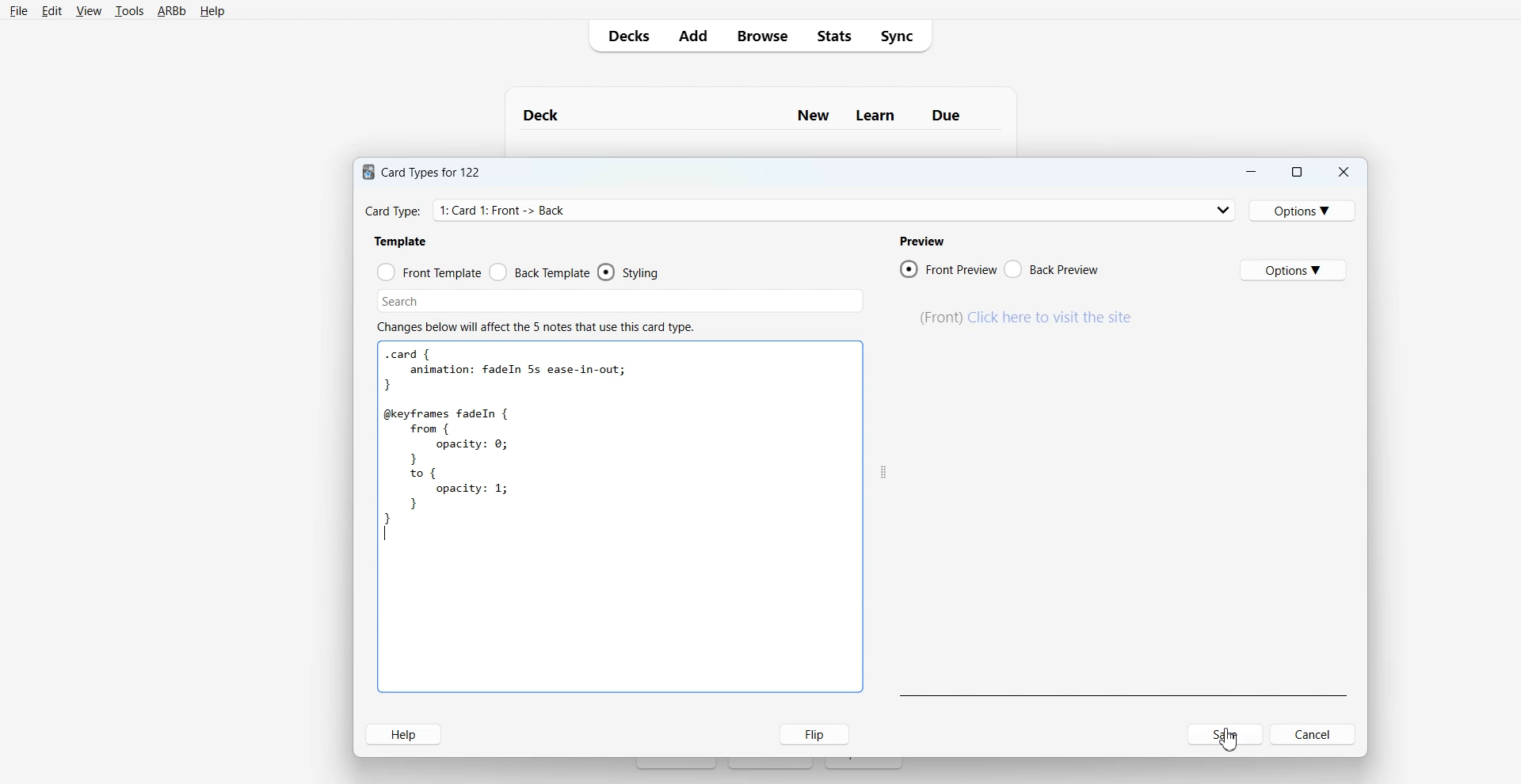 The image size is (1521, 784). I want to click on Cancel, so click(1284, 734).